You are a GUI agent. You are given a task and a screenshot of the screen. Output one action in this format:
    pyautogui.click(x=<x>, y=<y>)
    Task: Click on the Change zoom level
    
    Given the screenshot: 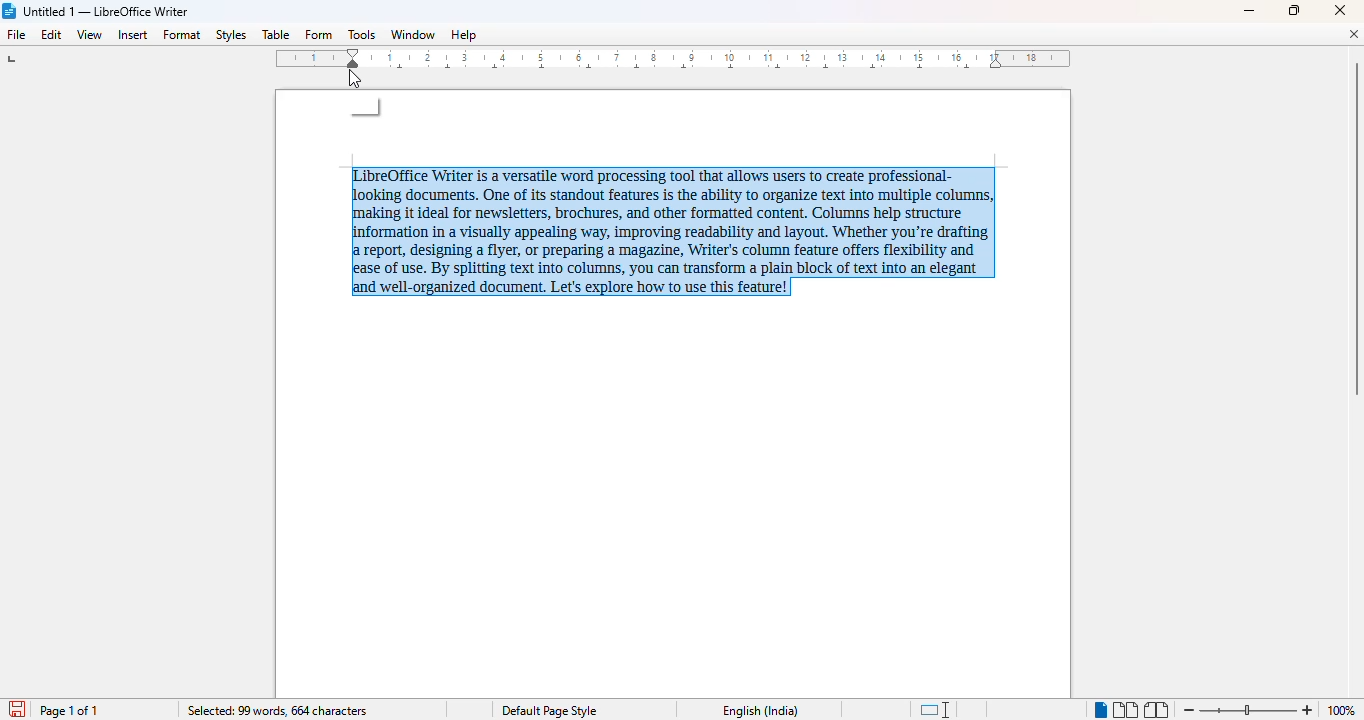 What is the action you would take?
    pyautogui.click(x=1248, y=707)
    